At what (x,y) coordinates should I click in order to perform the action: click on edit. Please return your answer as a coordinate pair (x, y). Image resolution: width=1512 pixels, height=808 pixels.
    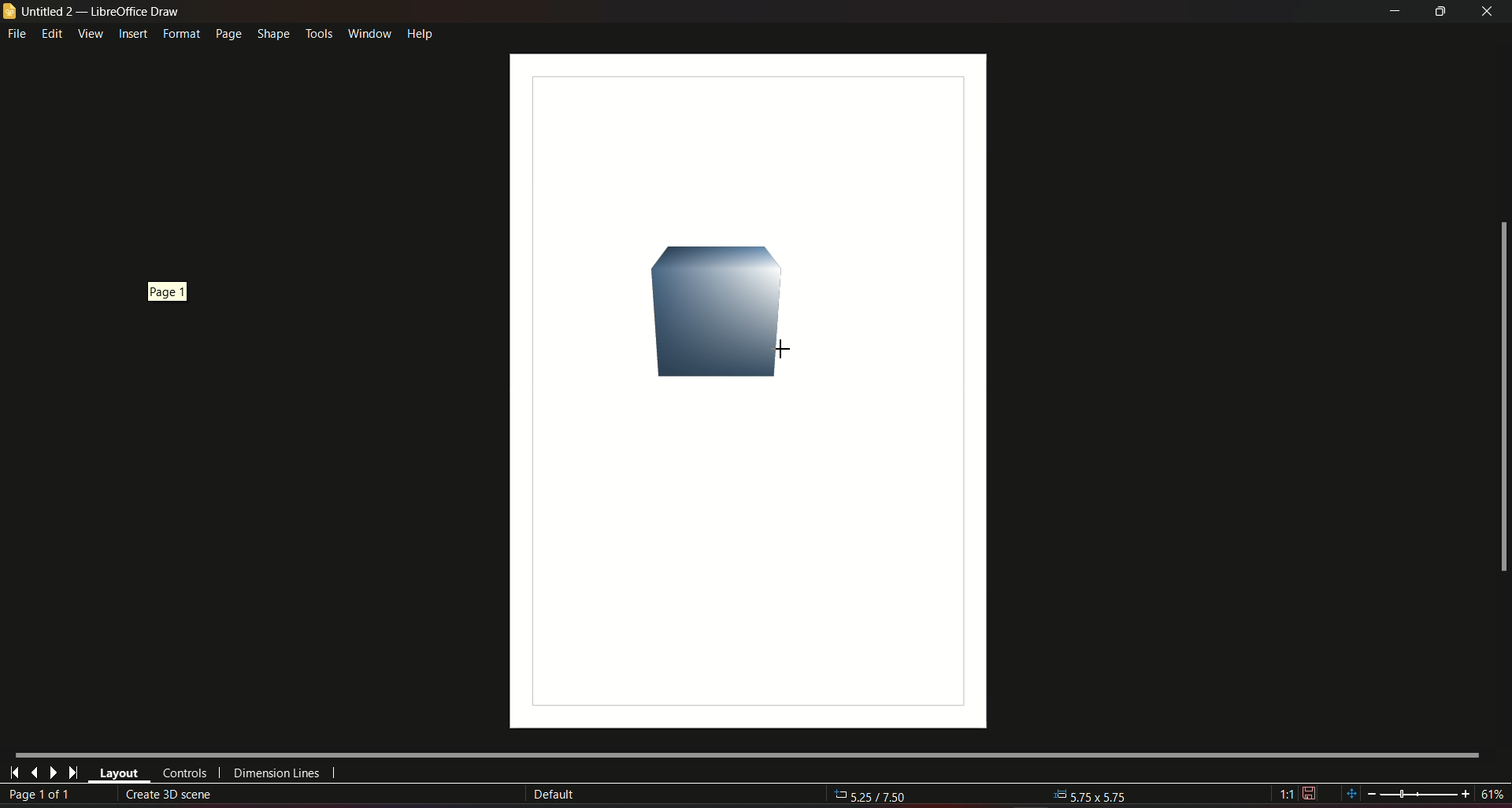
    Looking at the image, I should click on (53, 33).